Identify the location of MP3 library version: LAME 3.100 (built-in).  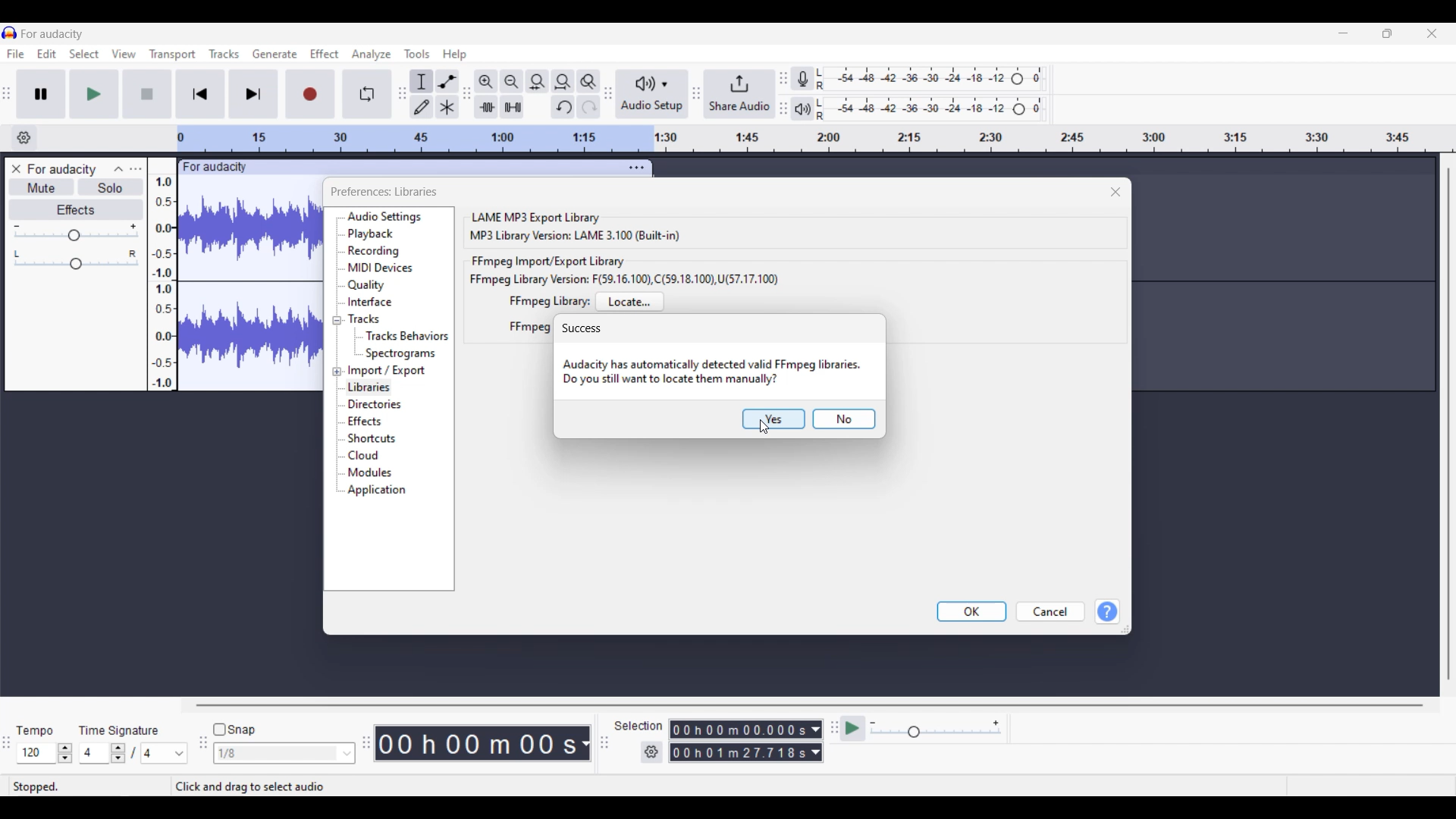
(575, 236).